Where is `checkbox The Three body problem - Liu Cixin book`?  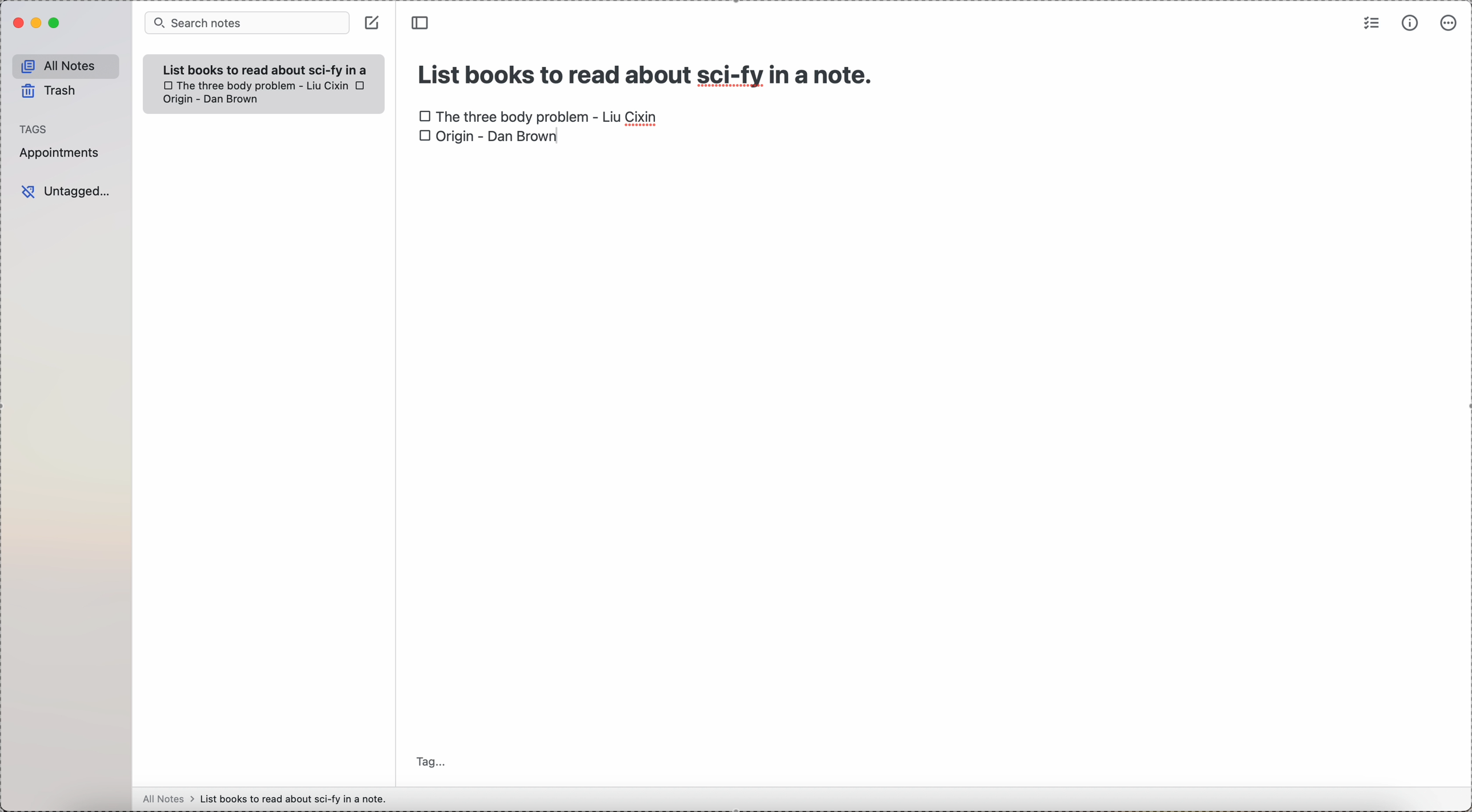
checkbox The Three body problem - Liu Cixin book is located at coordinates (254, 85).